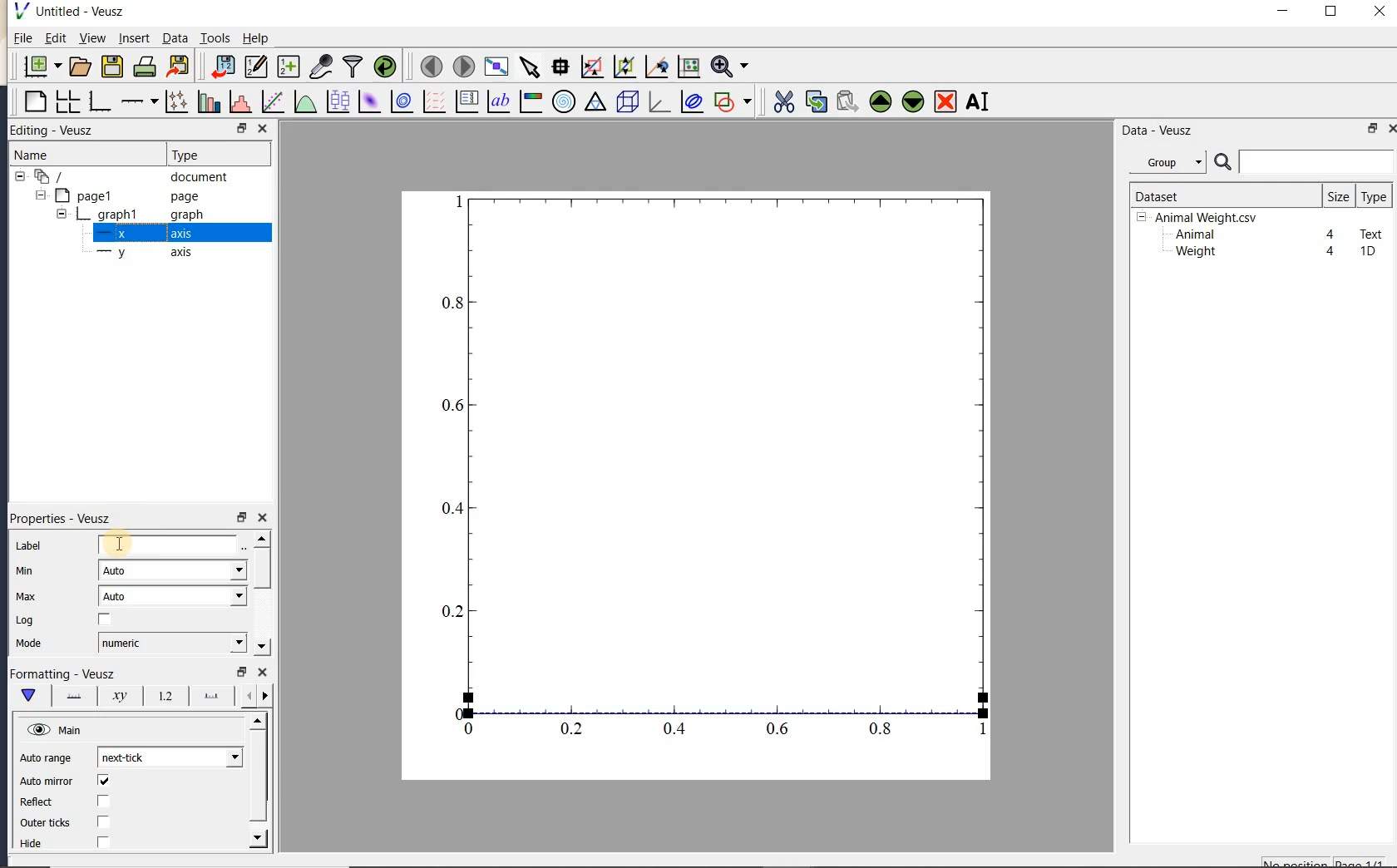  Describe the element at coordinates (657, 67) in the screenshot. I see `click to recenter graph axes` at that location.